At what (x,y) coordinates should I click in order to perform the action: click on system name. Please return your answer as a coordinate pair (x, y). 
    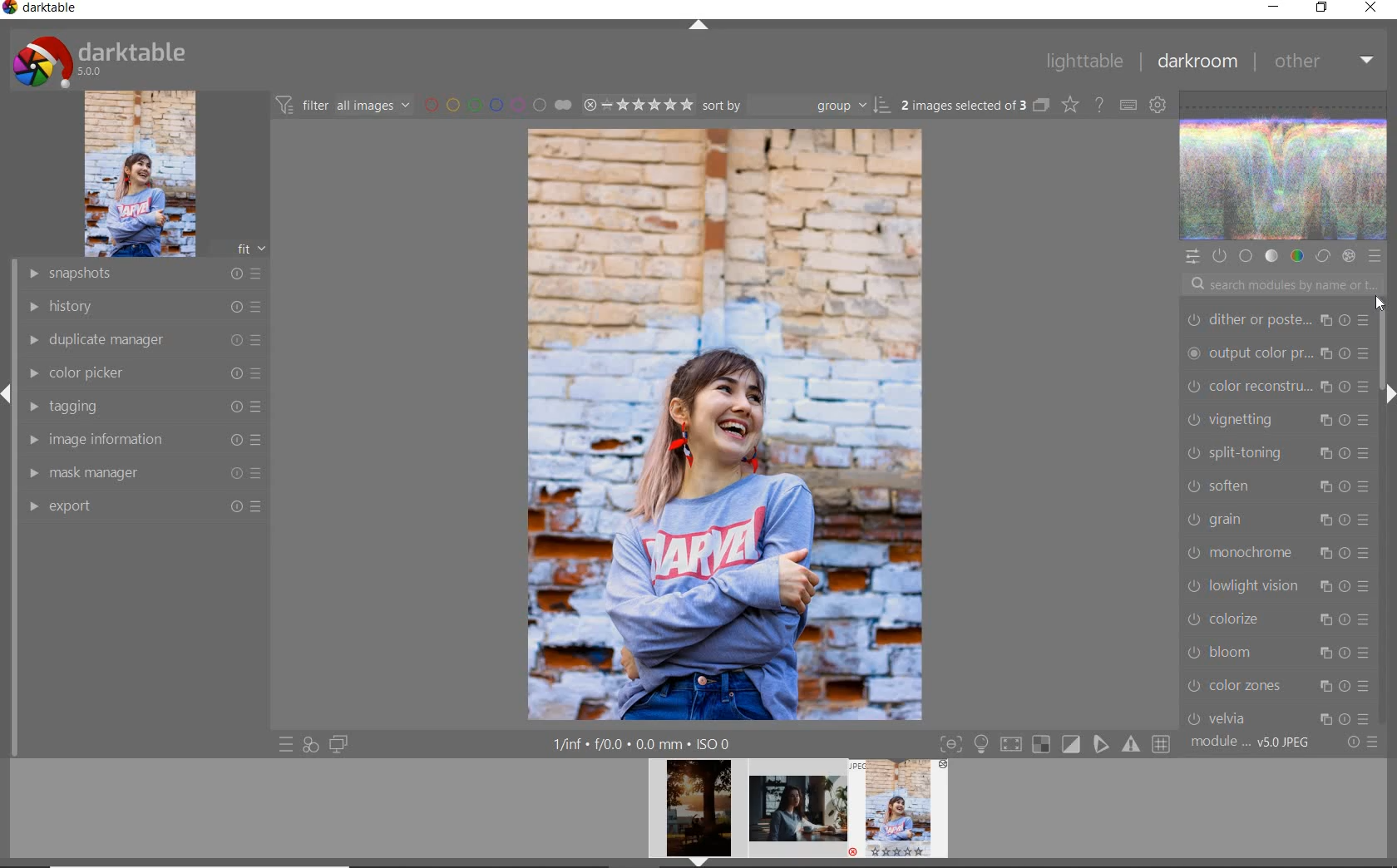
    Looking at the image, I should click on (41, 10).